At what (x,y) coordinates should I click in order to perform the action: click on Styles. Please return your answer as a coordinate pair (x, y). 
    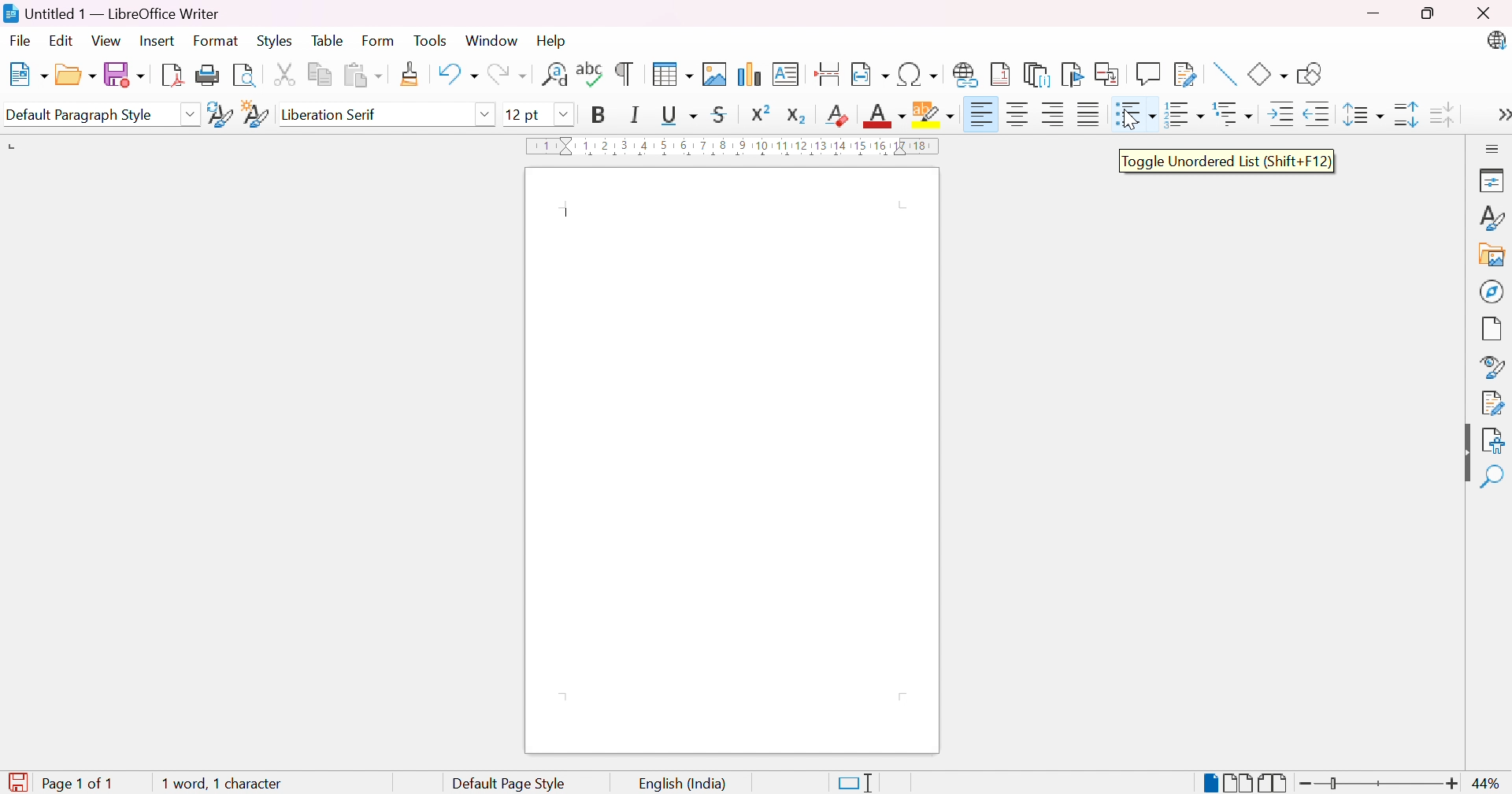
    Looking at the image, I should click on (274, 40).